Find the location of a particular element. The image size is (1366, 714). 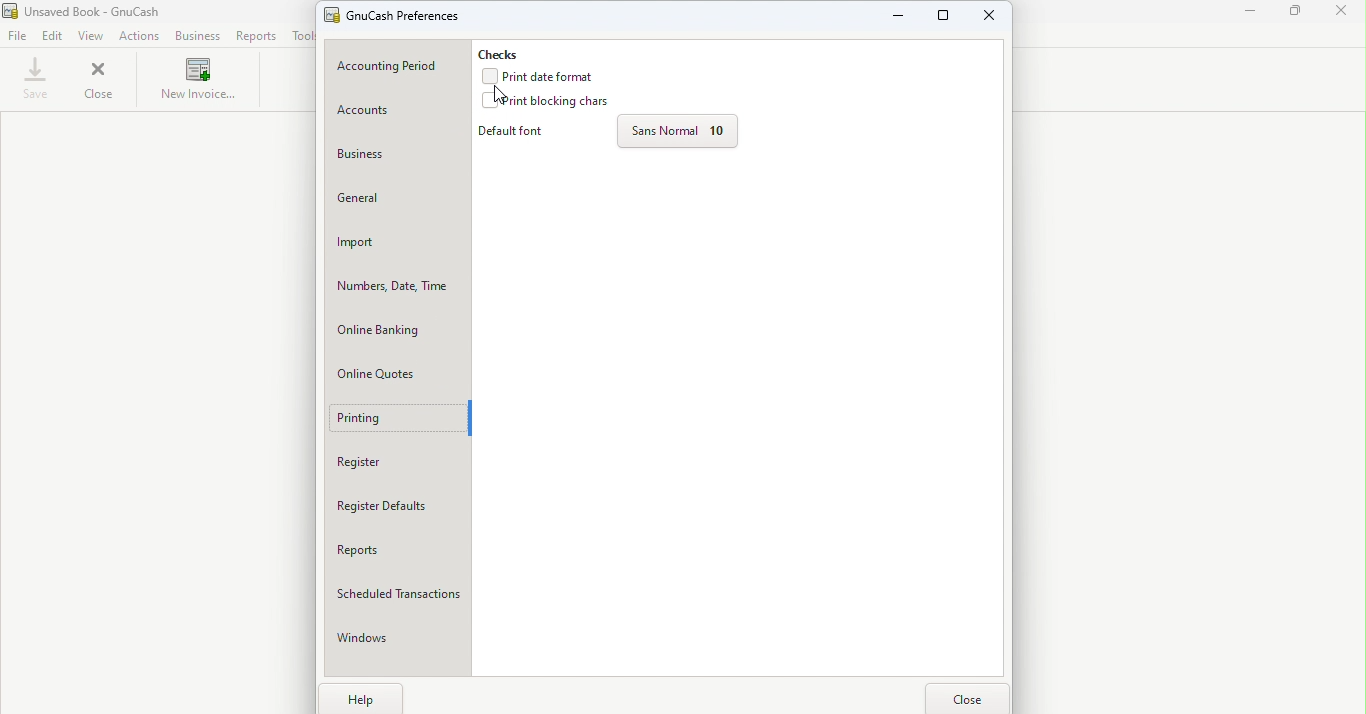

Minimize is located at coordinates (1249, 16).